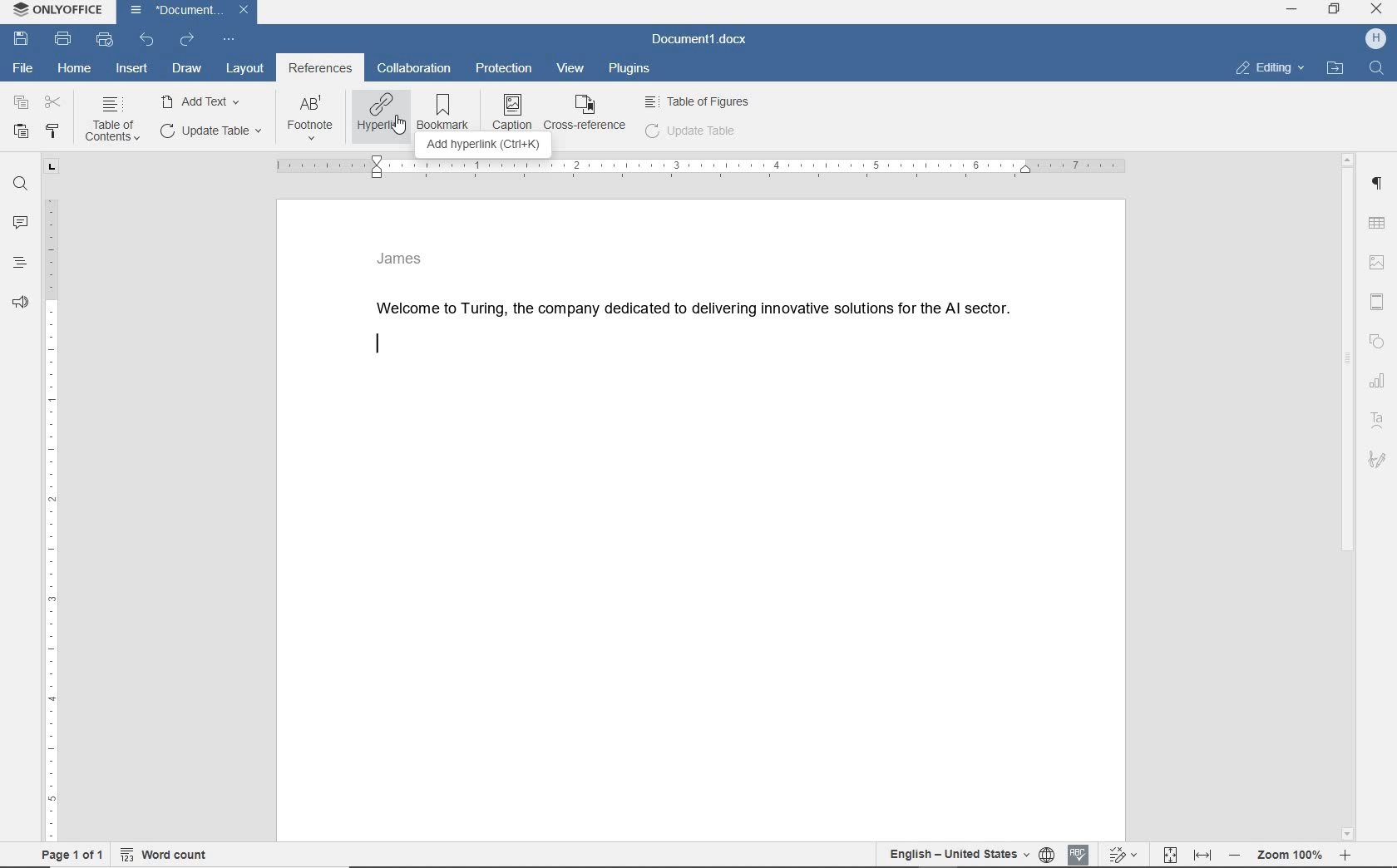  What do you see at coordinates (22, 223) in the screenshot?
I see `comments` at bounding box center [22, 223].